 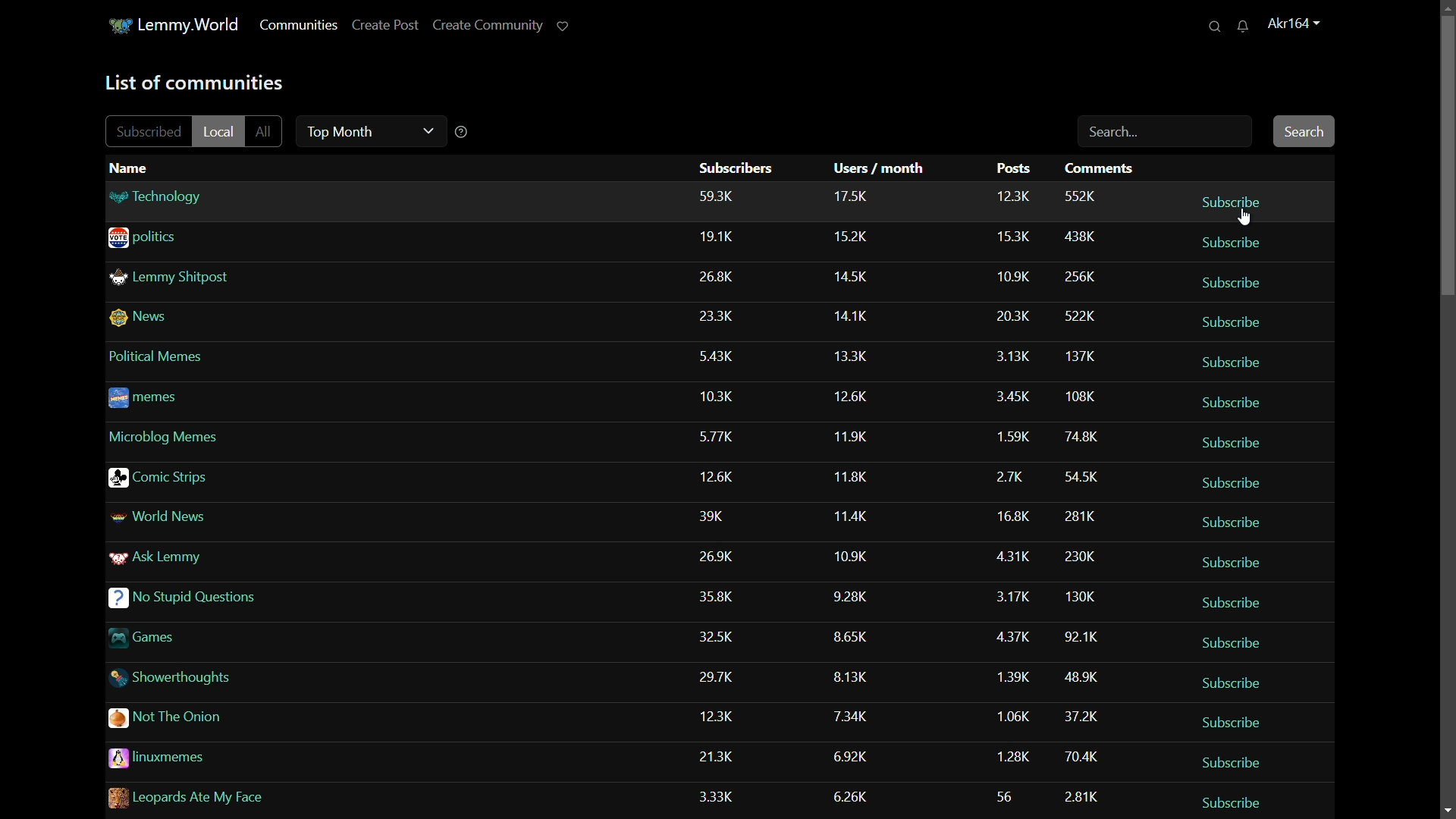 I want to click on subscribe/unsubscribe, so click(x=1232, y=199).